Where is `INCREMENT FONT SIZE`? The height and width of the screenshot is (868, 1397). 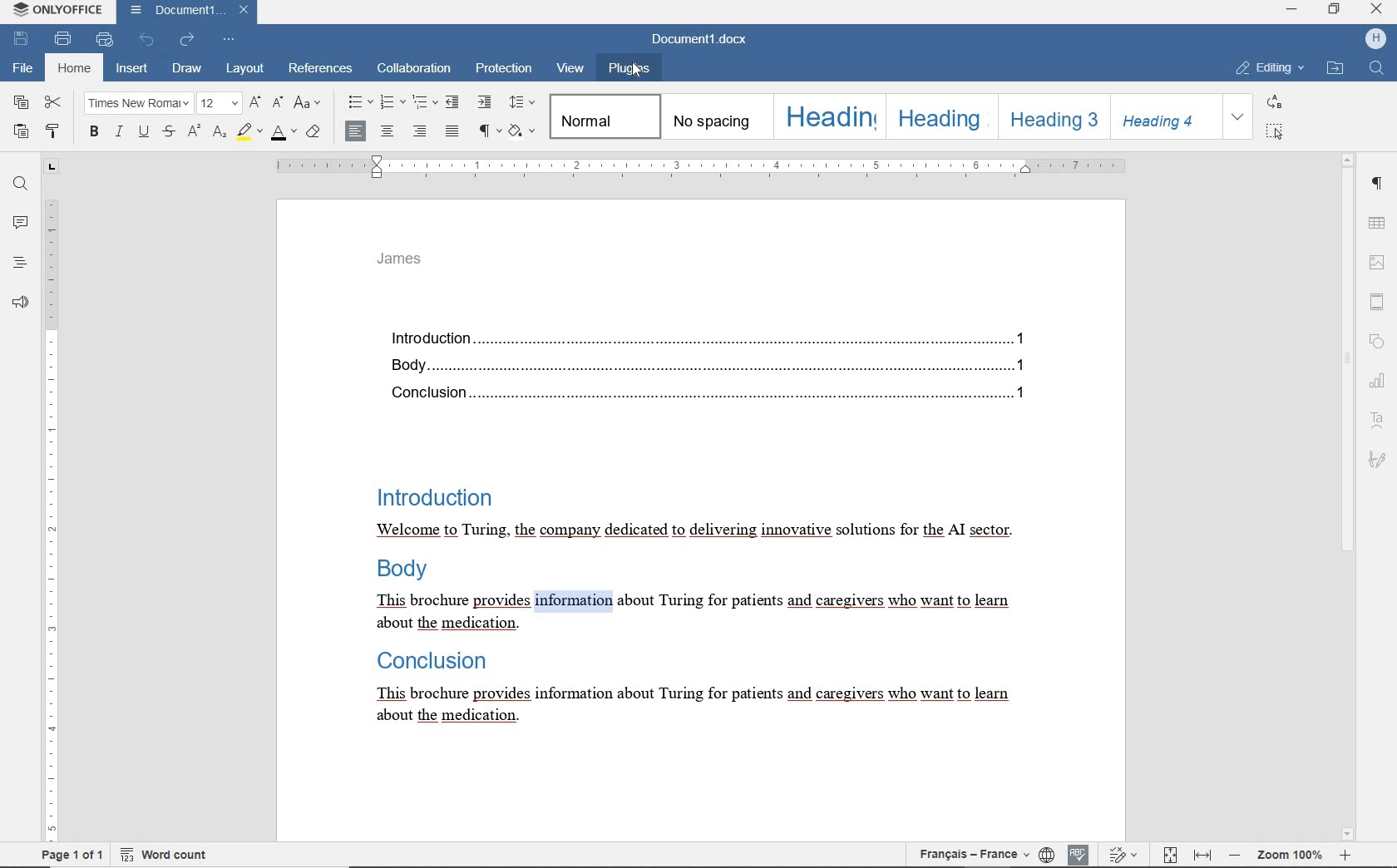
INCREMENT FONT SIZE is located at coordinates (254, 101).